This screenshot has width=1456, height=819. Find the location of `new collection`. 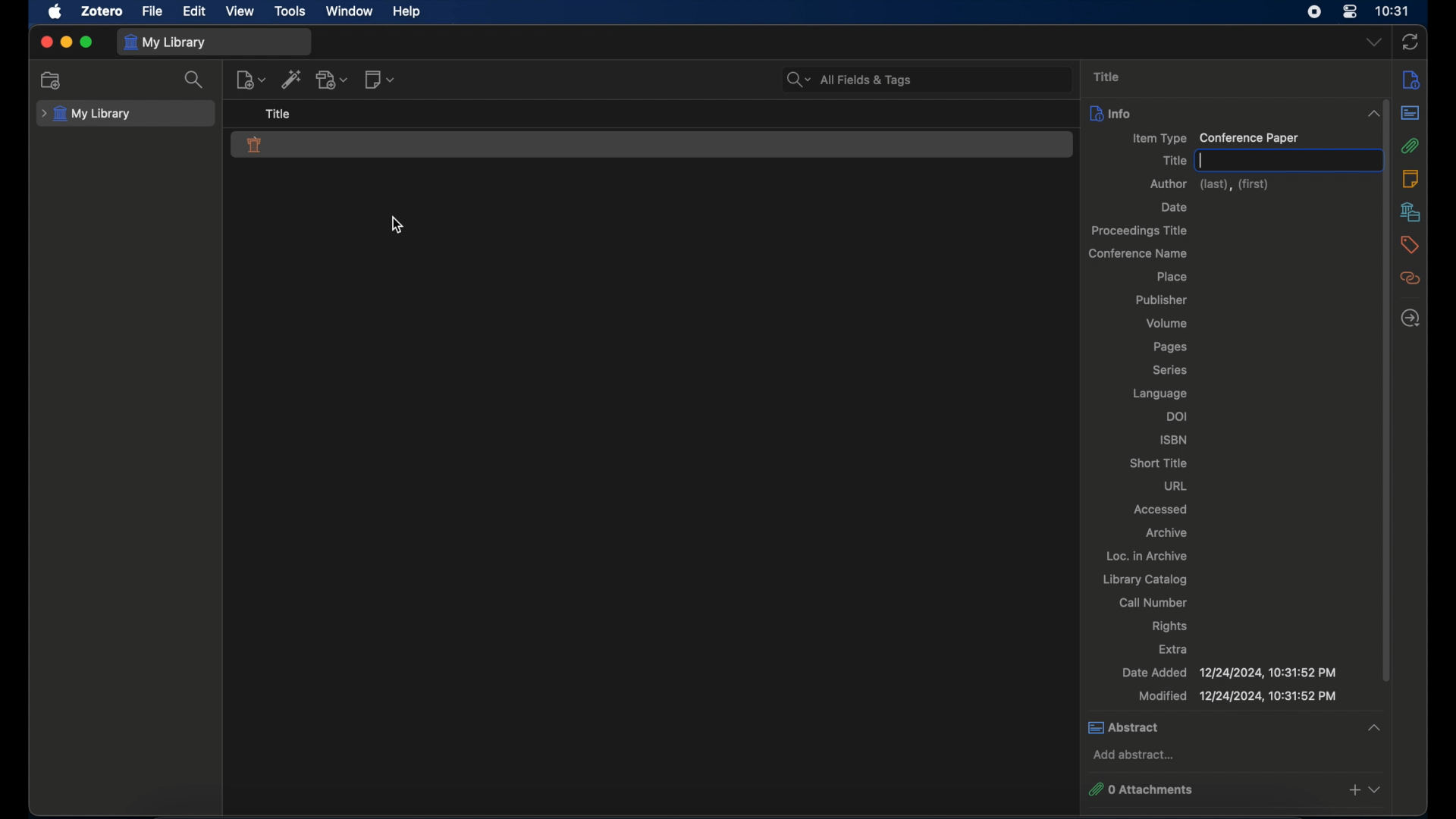

new collection is located at coordinates (52, 80).